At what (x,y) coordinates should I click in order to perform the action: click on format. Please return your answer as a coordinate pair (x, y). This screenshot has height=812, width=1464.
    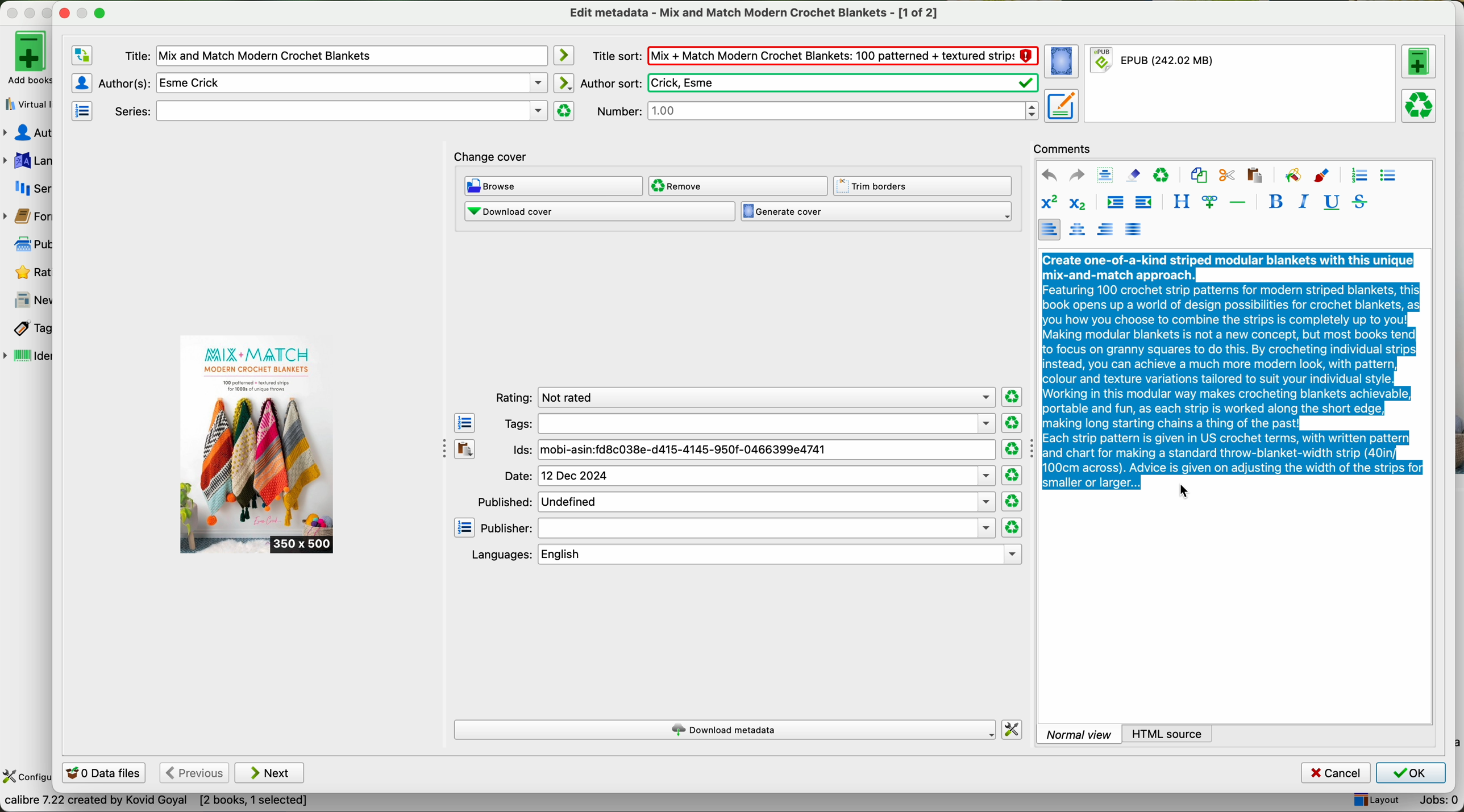
    Looking at the image, I should click on (1242, 84).